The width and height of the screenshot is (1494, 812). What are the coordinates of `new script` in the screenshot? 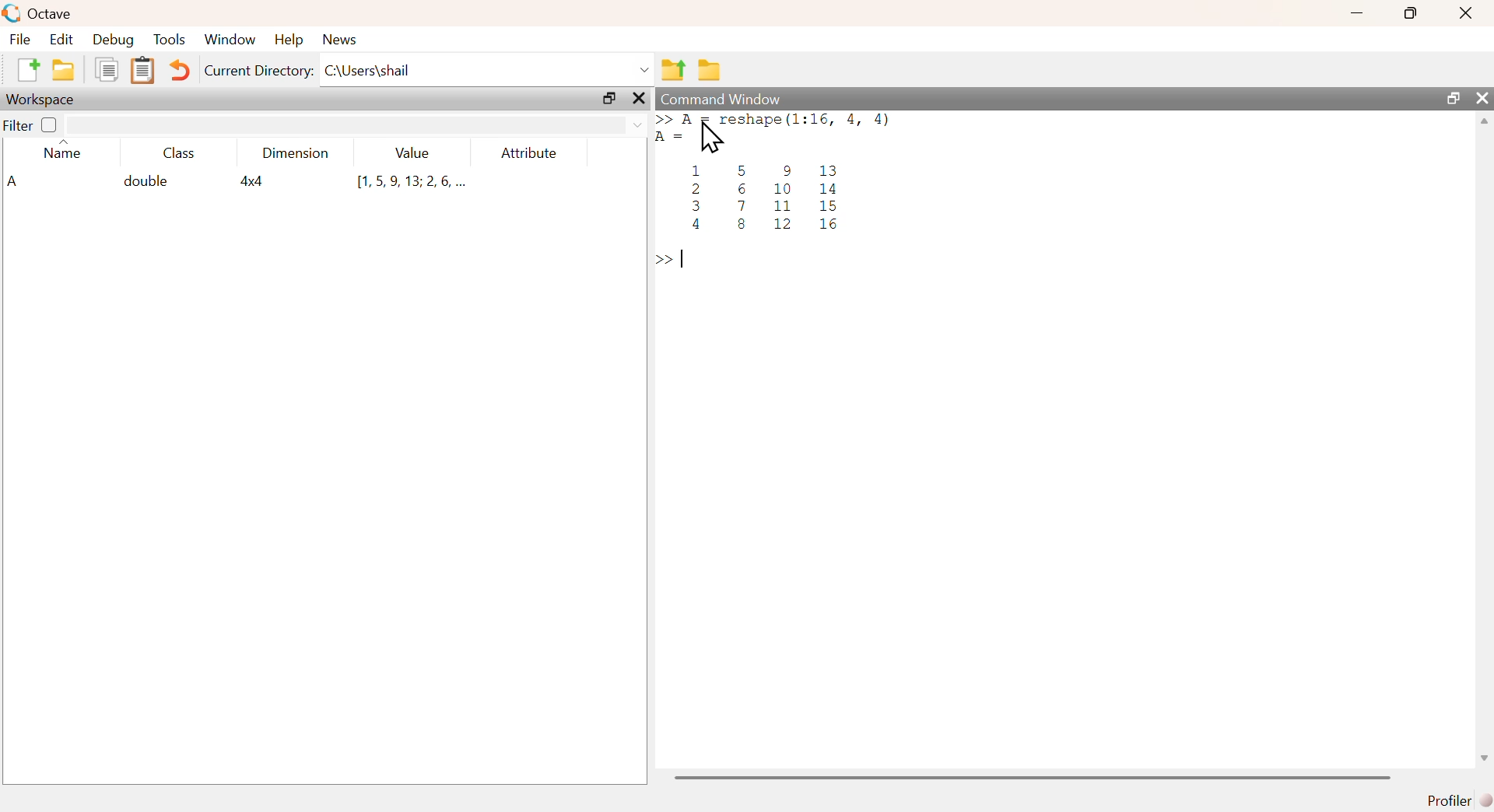 It's located at (26, 68).